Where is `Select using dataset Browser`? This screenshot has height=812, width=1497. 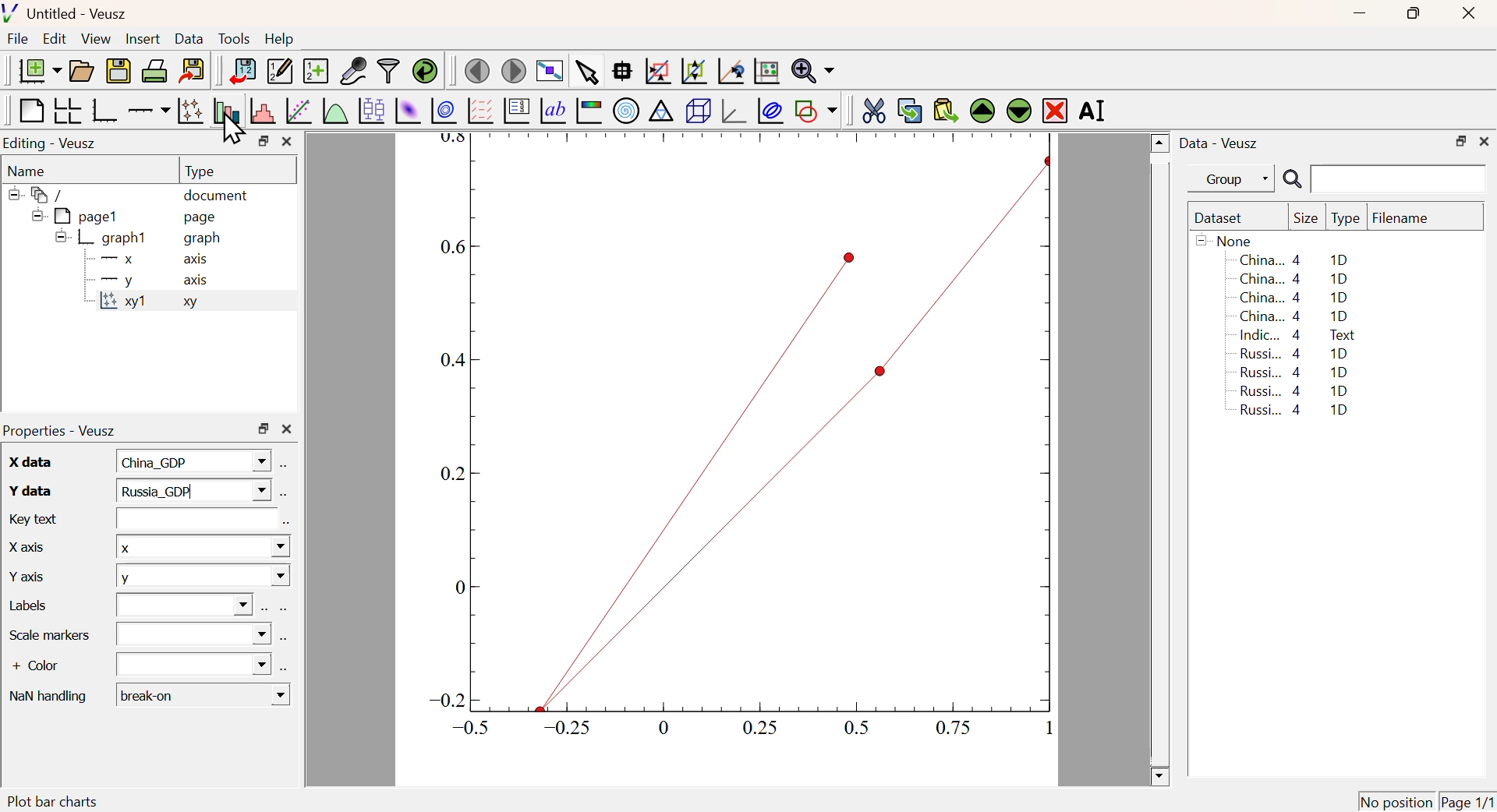 Select using dataset Browser is located at coordinates (282, 610).